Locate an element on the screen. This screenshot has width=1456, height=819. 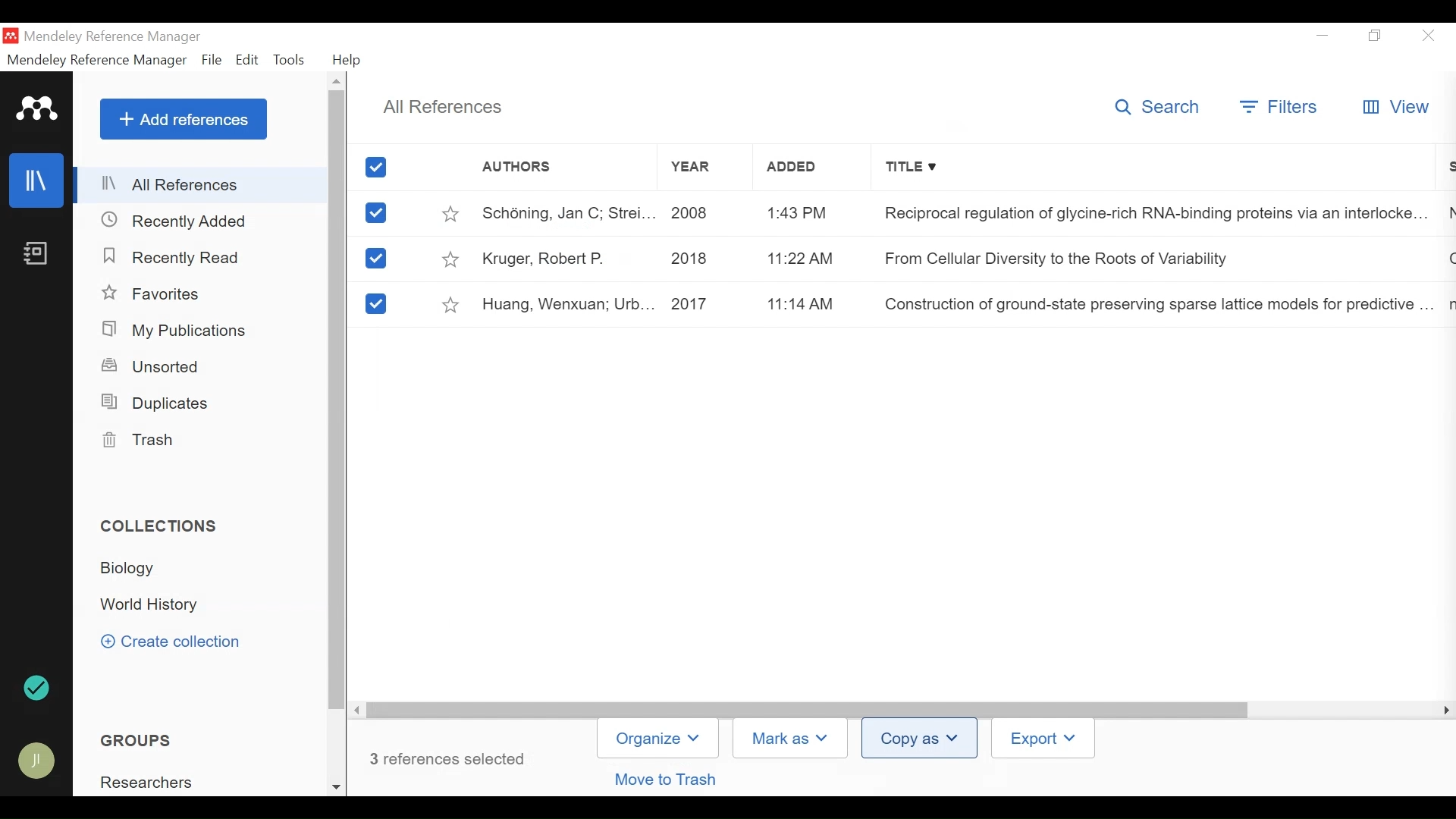
Groups  is located at coordinates (131, 741).